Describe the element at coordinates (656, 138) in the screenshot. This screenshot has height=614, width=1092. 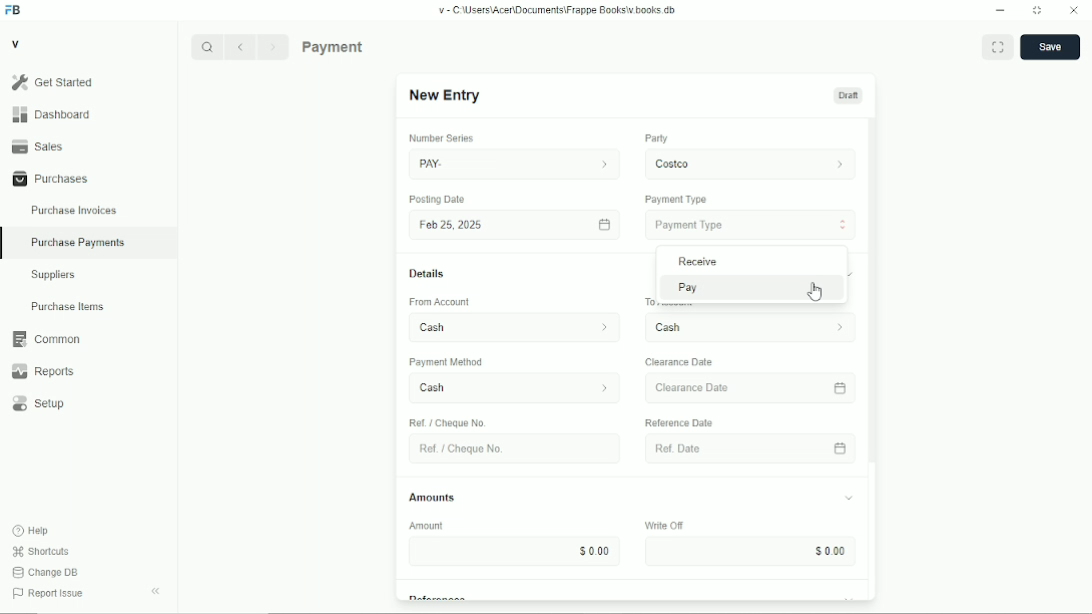
I see `Party` at that location.